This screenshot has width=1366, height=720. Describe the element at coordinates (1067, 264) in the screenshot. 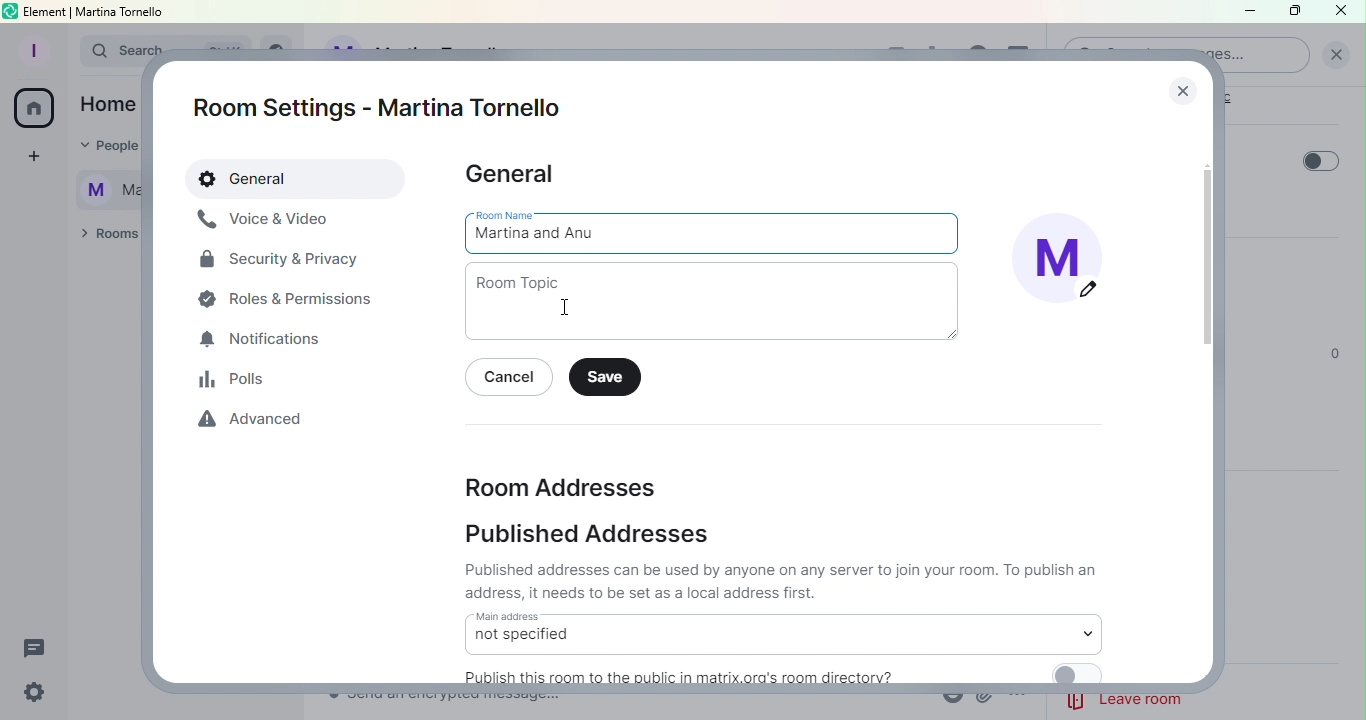

I see `Display image` at that location.